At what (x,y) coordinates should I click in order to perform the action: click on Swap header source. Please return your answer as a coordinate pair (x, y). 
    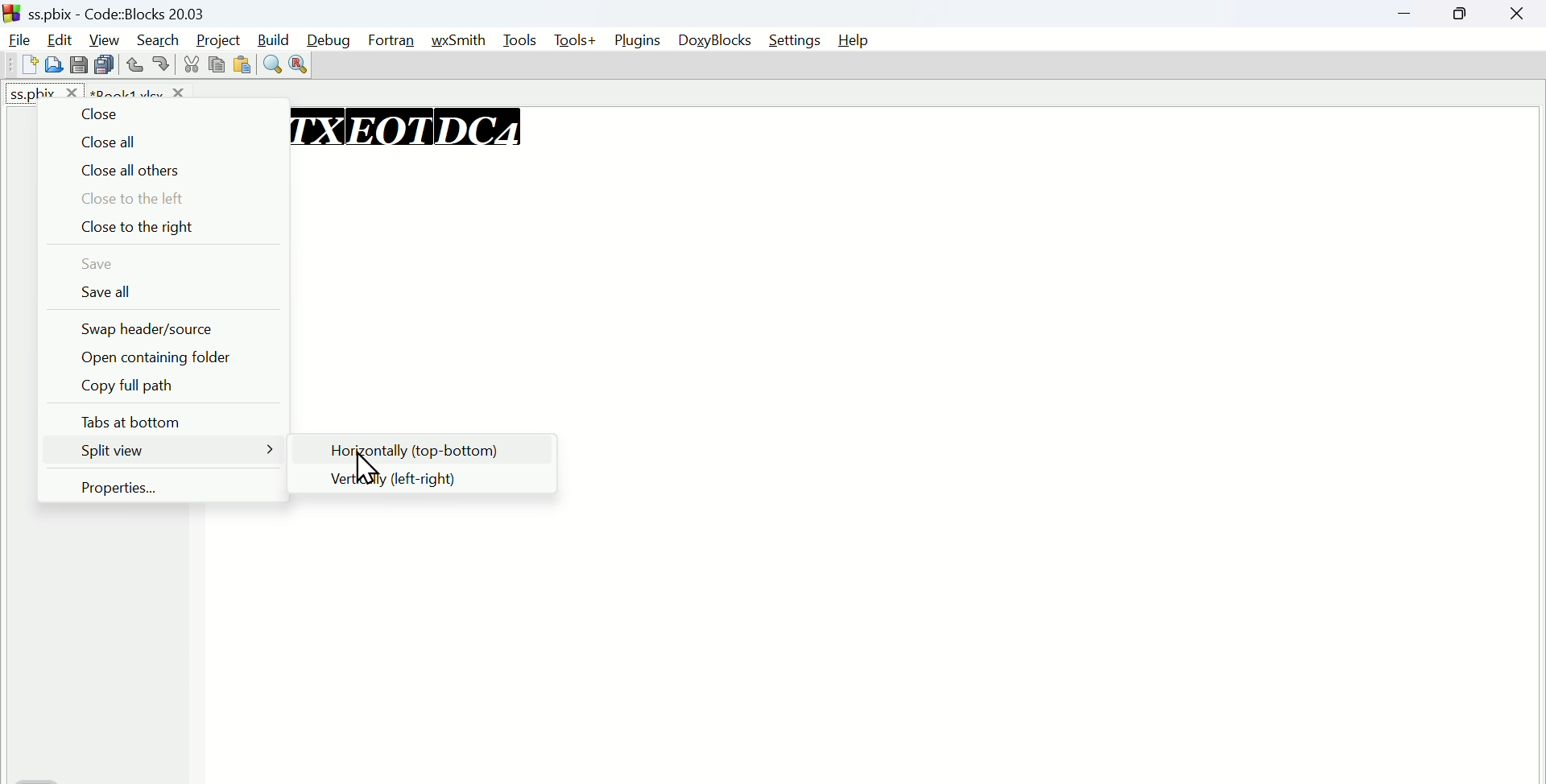
    Looking at the image, I should click on (163, 330).